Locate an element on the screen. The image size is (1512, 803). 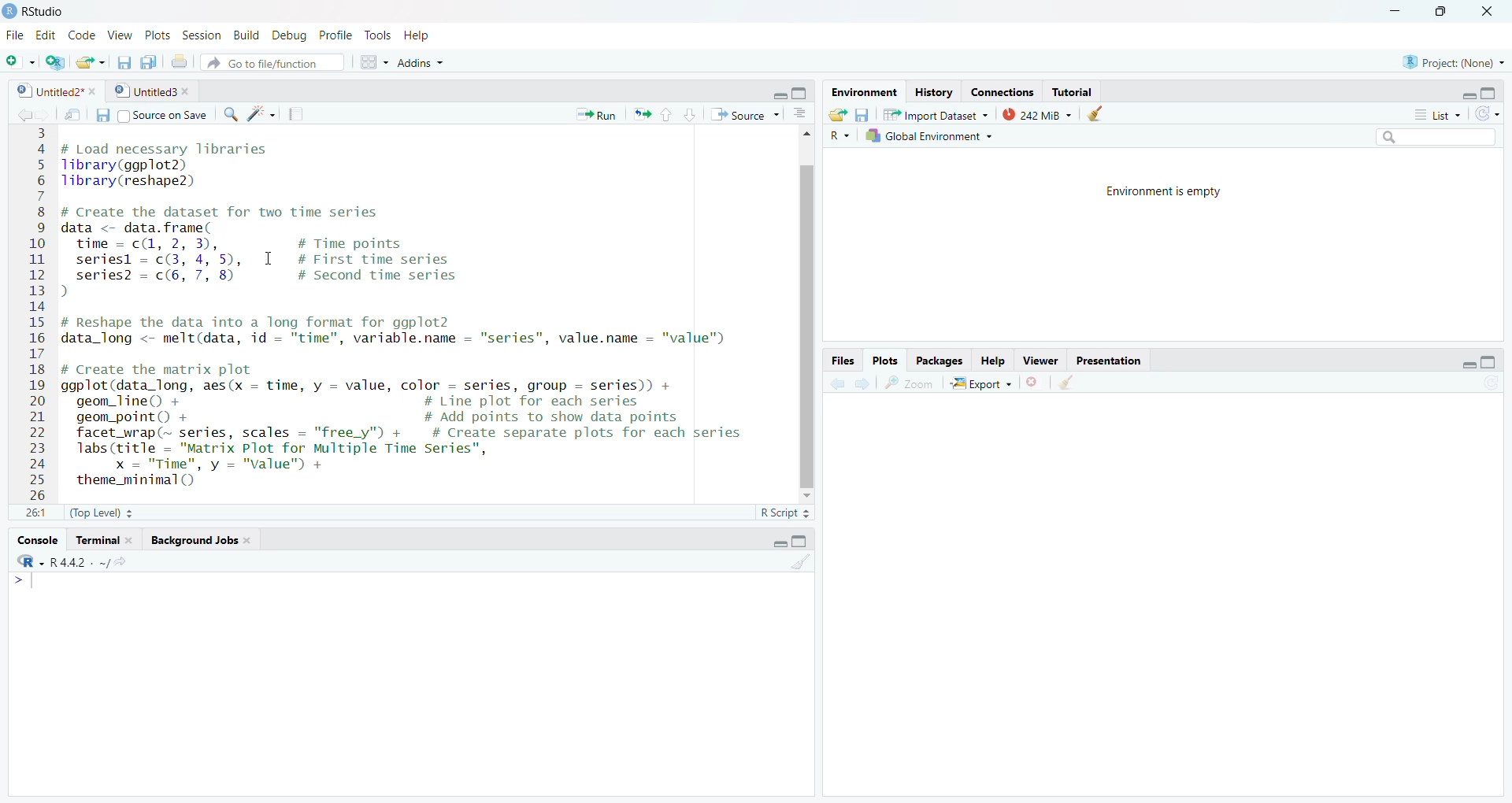
search box is located at coordinates (1434, 136).